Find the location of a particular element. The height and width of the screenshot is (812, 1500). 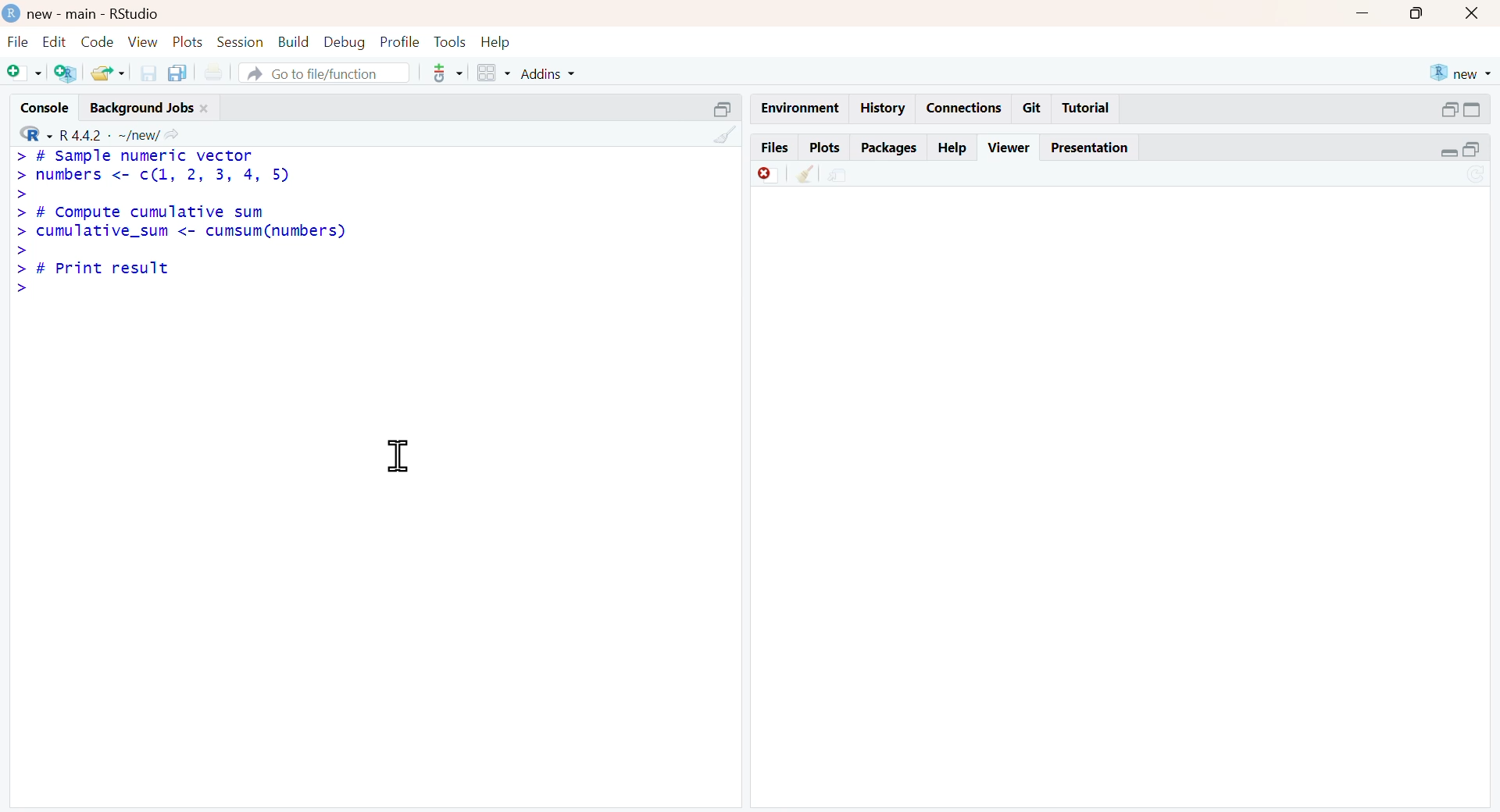

debug is located at coordinates (346, 41).